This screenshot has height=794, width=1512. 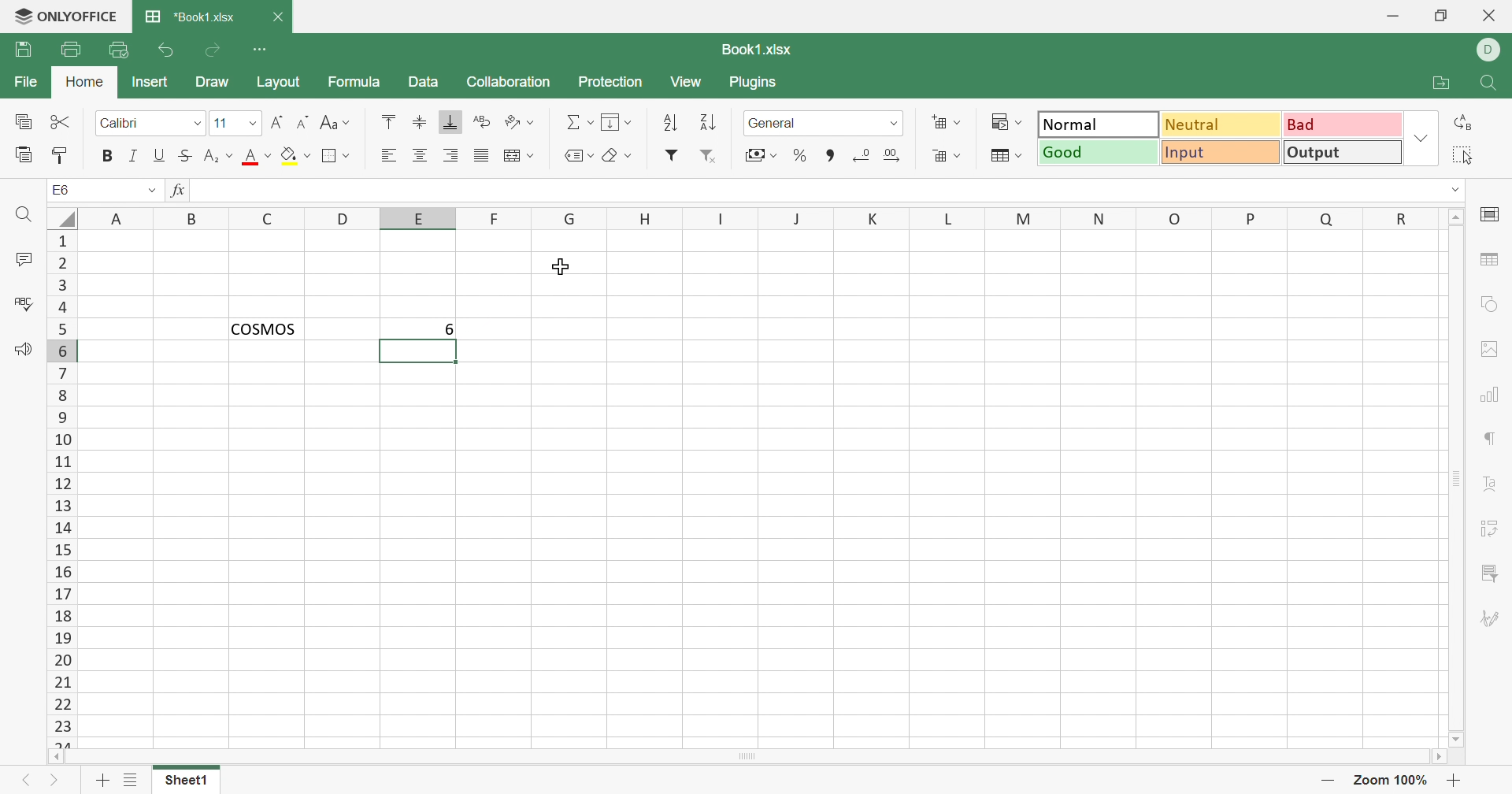 What do you see at coordinates (57, 757) in the screenshot?
I see `Scroll left` at bounding box center [57, 757].